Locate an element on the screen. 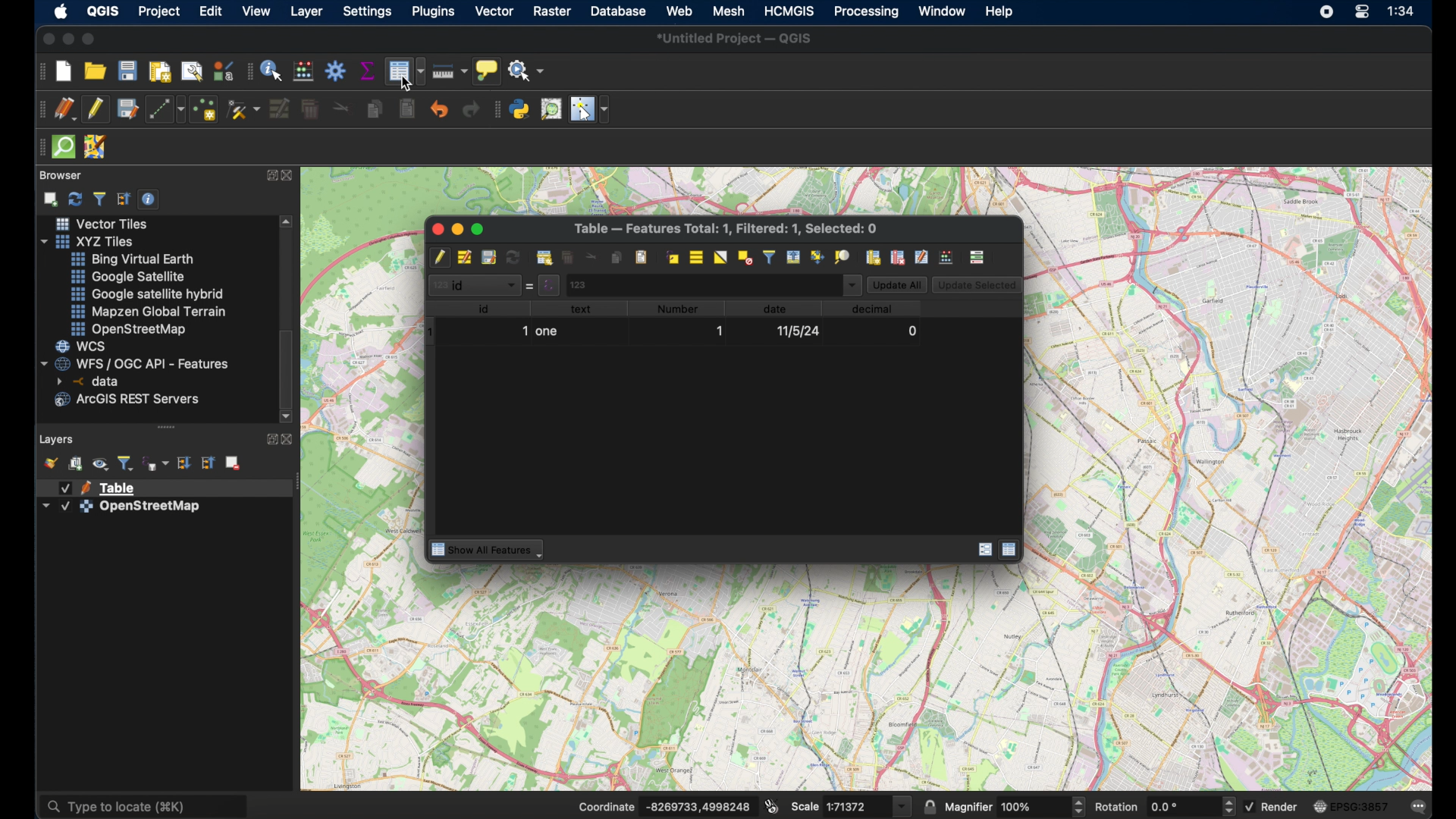 The height and width of the screenshot is (819, 1456). rotation value is located at coordinates (1181, 805).